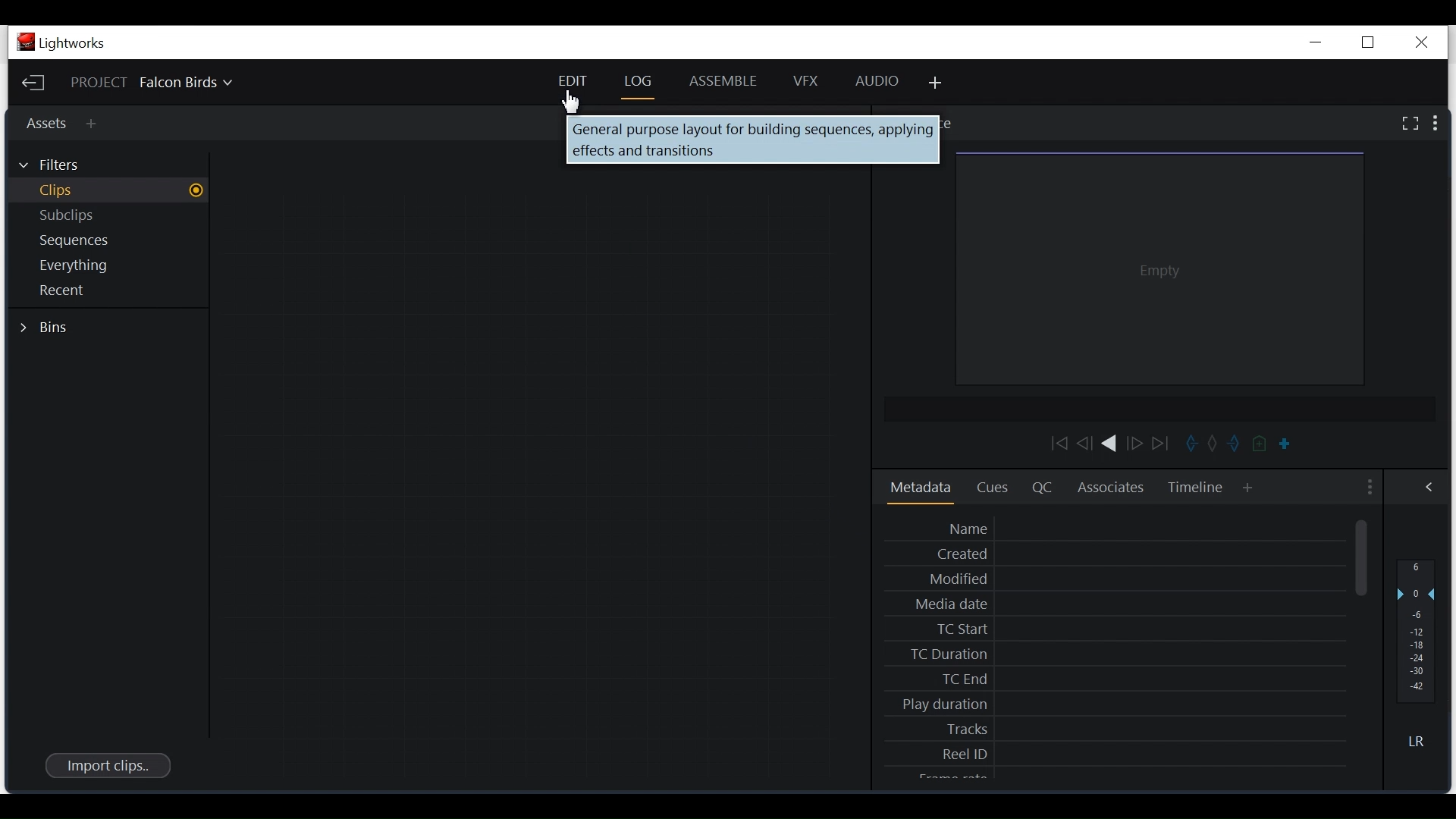 This screenshot has height=819, width=1456. What do you see at coordinates (106, 765) in the screenshot?
I see `Import Clips` at bounding box center [106, 765].